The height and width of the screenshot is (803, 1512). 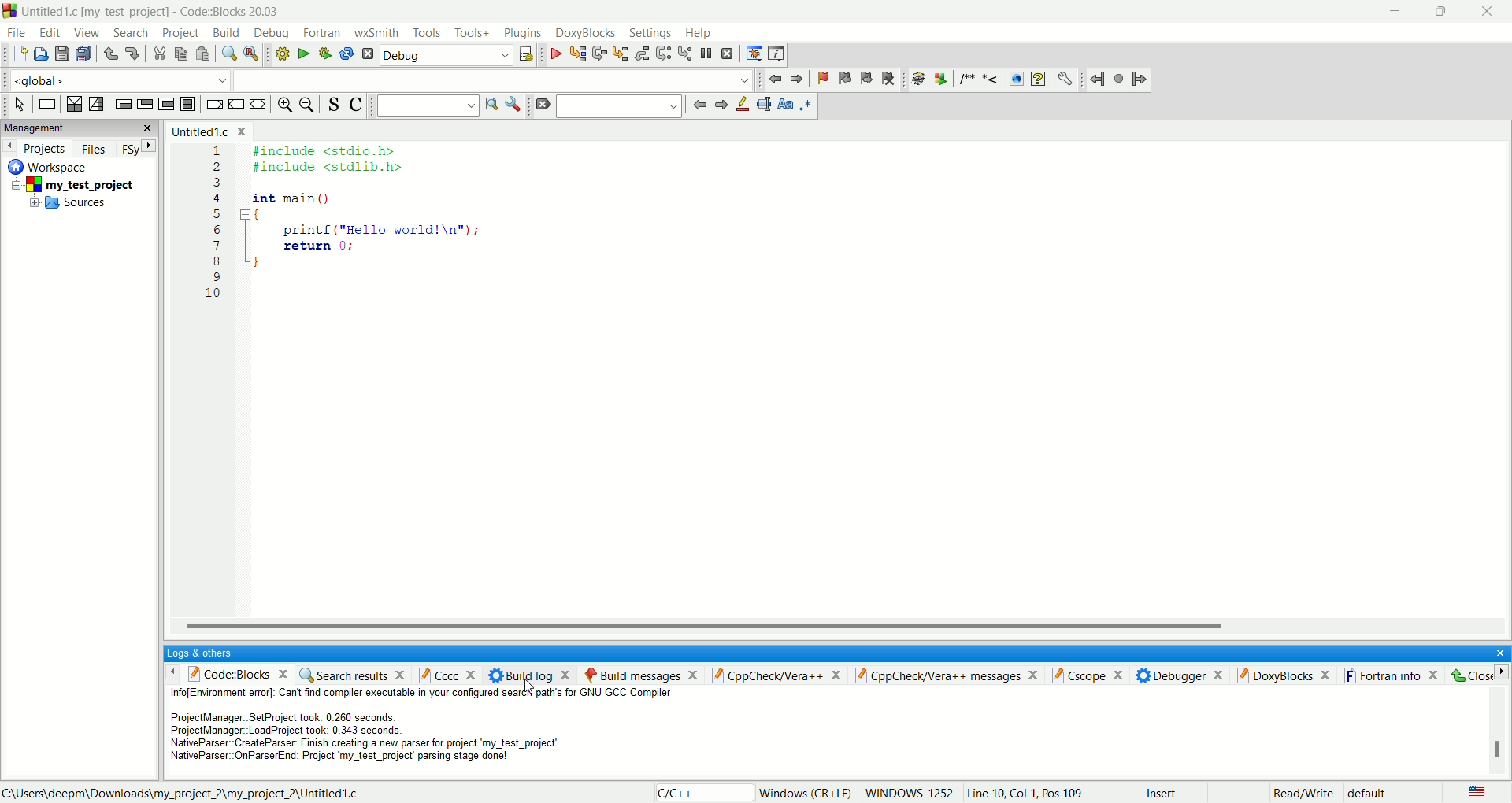 What do you see at coordinates (843, 80) in the screenshot?
I see `previous bookmark` at bounding box center [843, 80].